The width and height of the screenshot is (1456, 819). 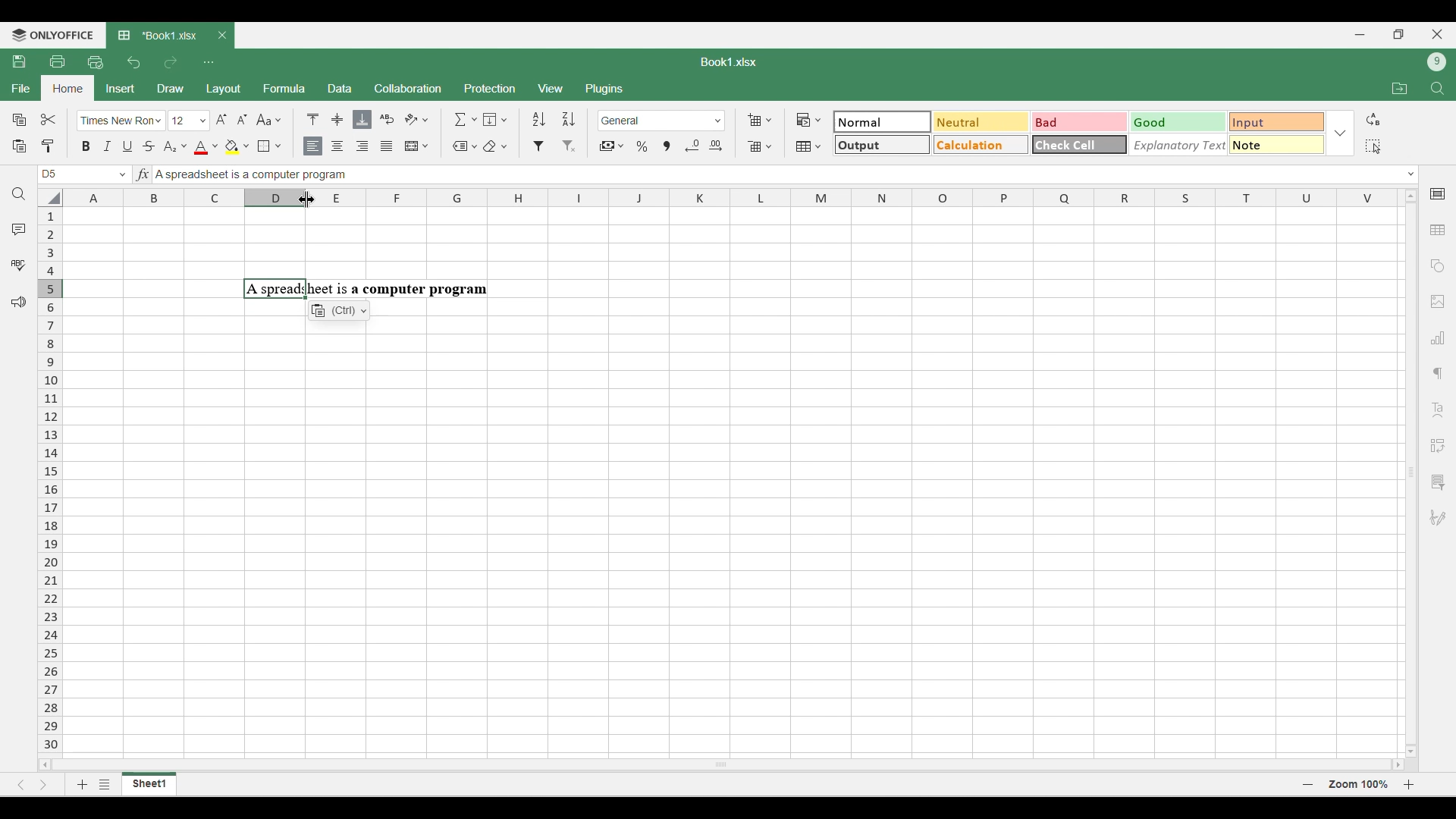 What do you see at coordinates (662, 121) in the screenshot?
I see `Number format options` at bounding box center [662, 121].